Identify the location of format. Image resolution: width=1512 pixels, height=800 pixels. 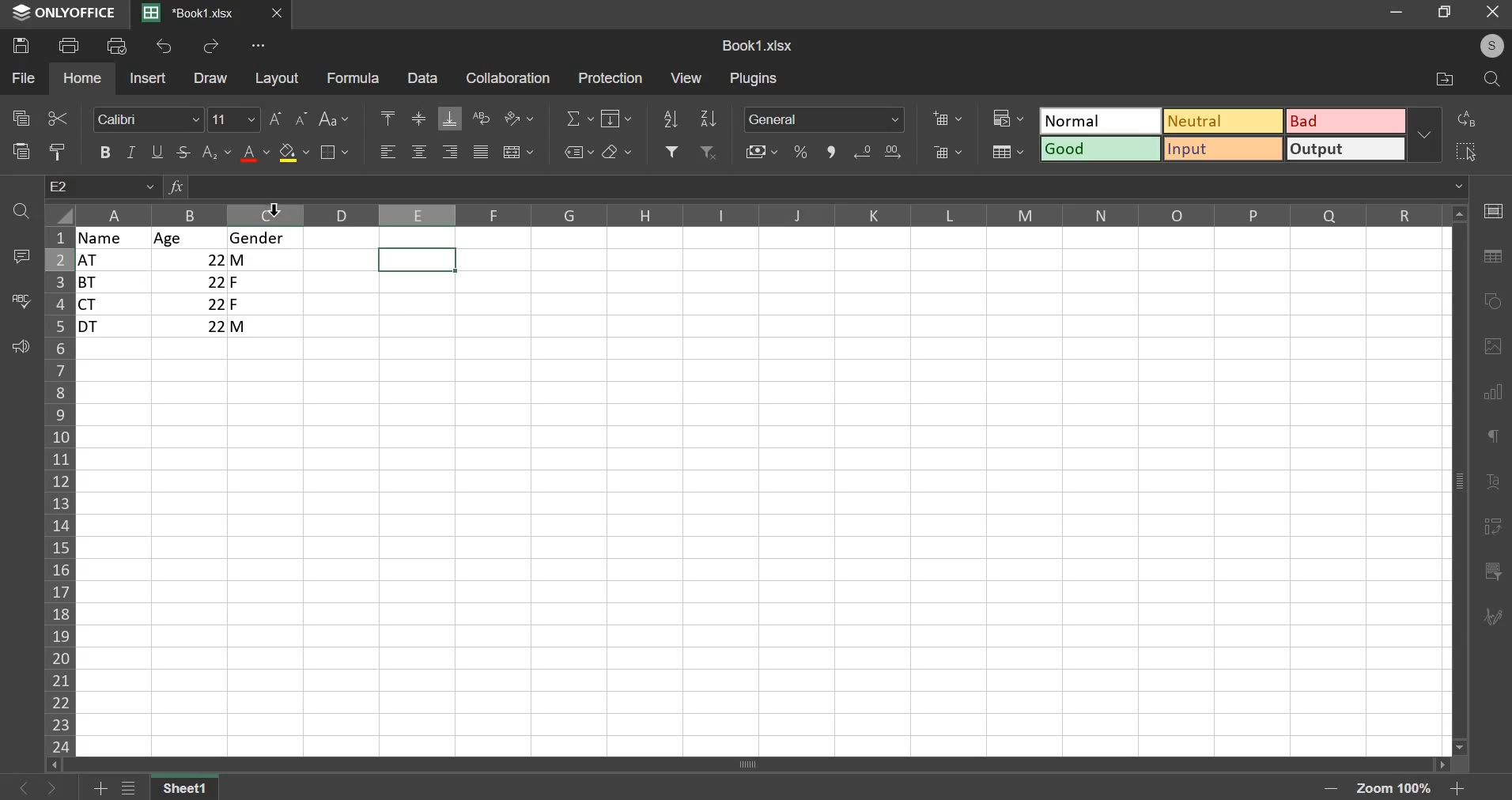
(1222, 133).